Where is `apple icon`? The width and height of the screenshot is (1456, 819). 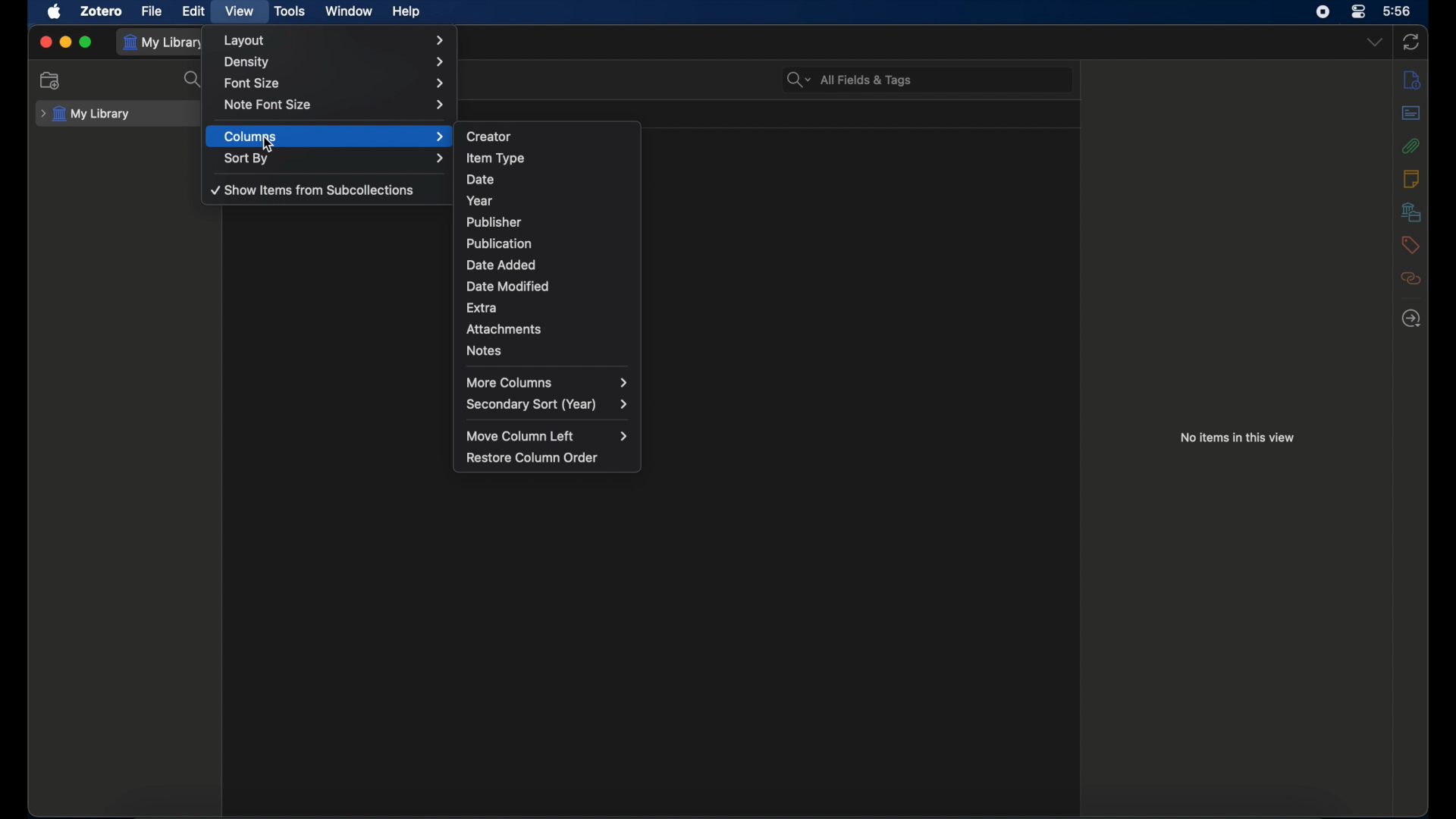 apple icon is located at coordinates (54, 11).